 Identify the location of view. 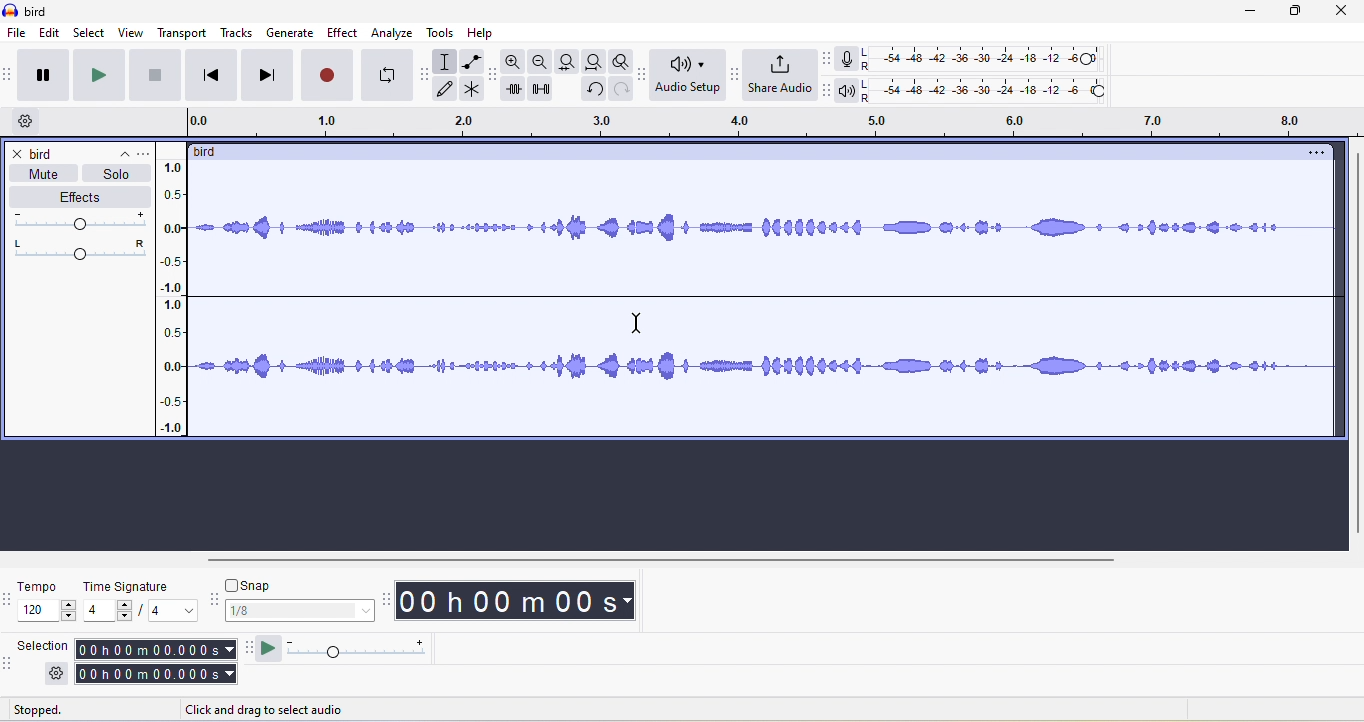
(131, 33).